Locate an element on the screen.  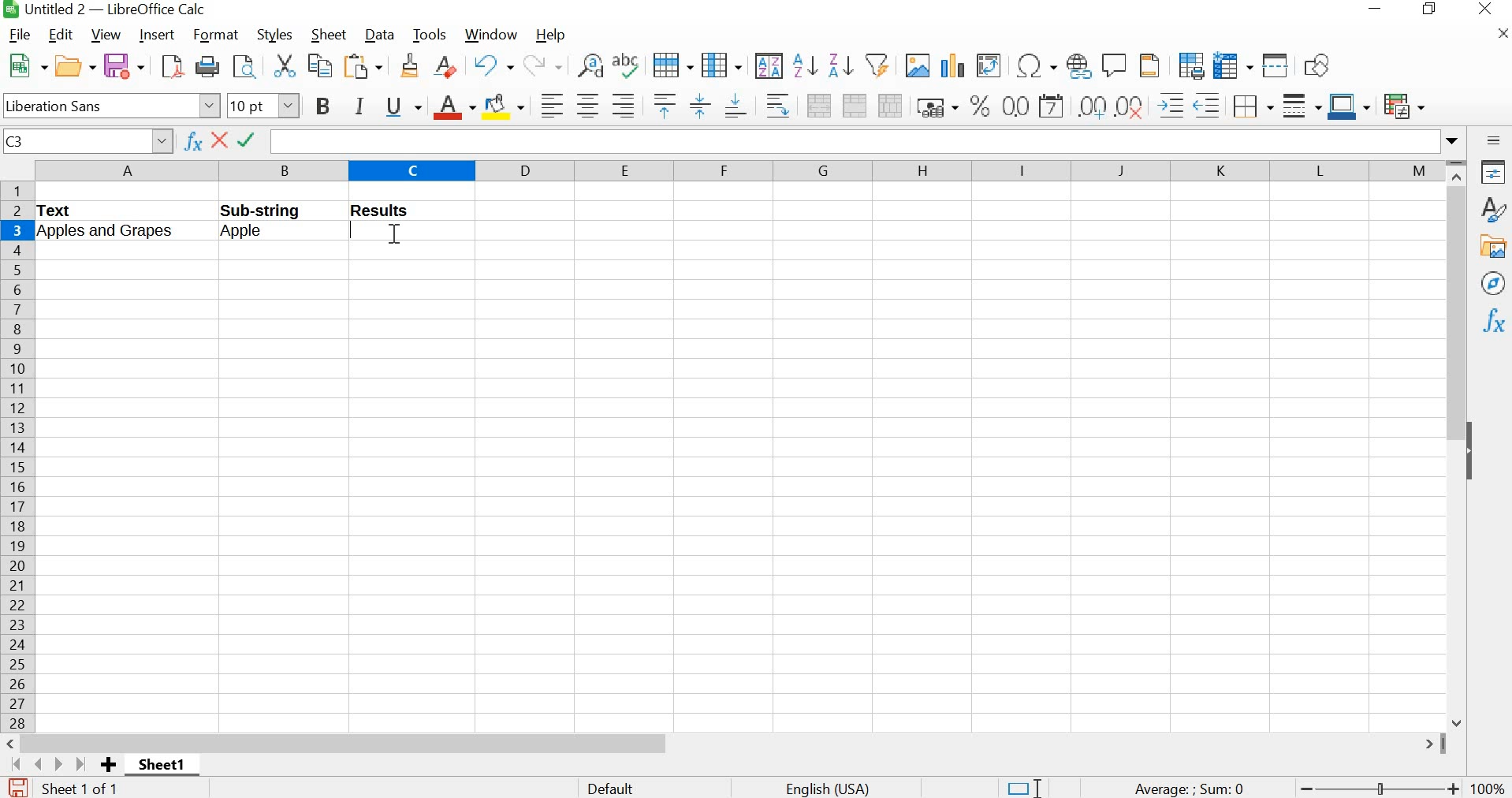
paste is located at coordinates (365, 66).